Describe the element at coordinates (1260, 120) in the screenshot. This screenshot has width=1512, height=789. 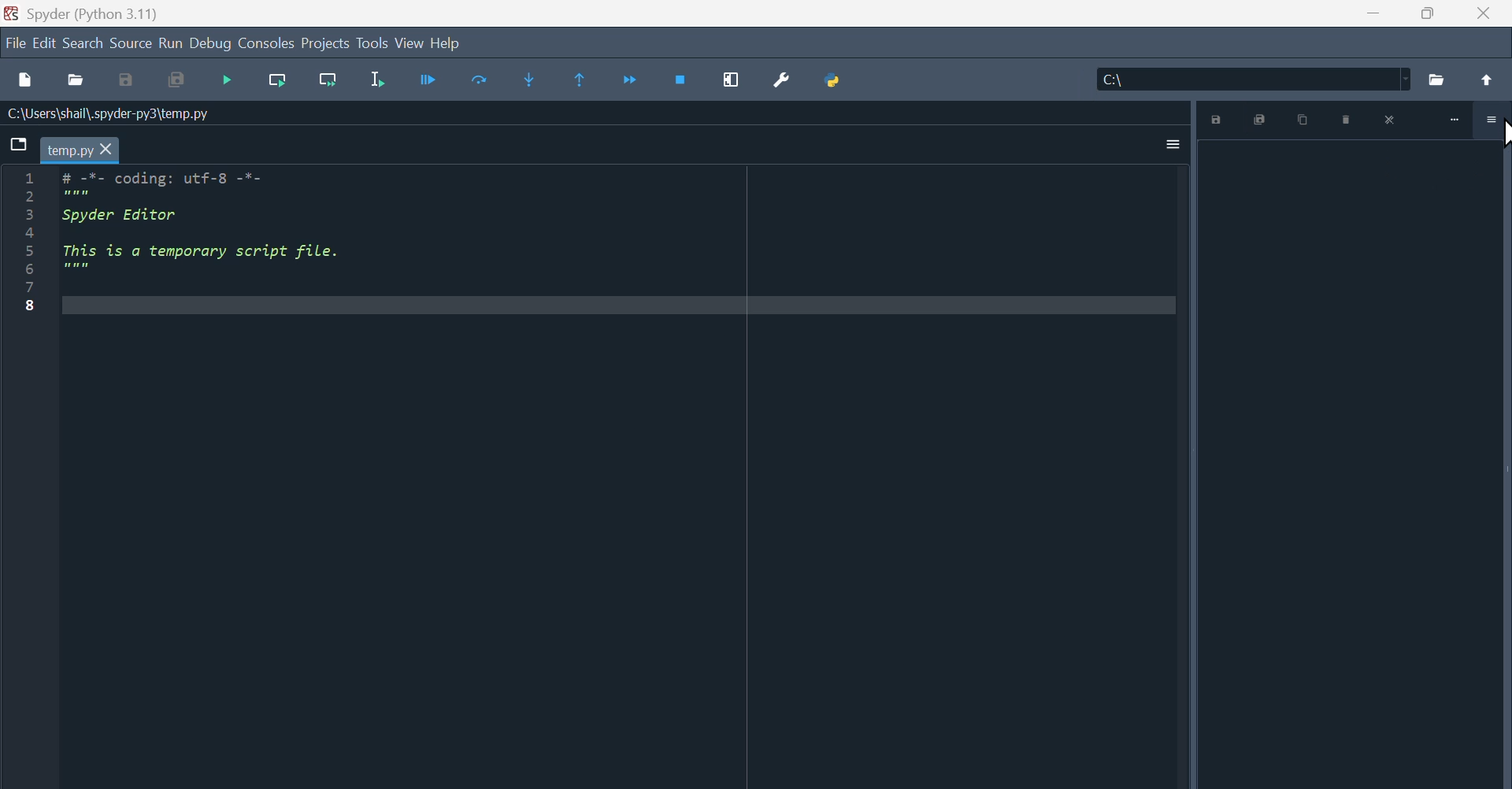
I see `Save all plots as` at that location.